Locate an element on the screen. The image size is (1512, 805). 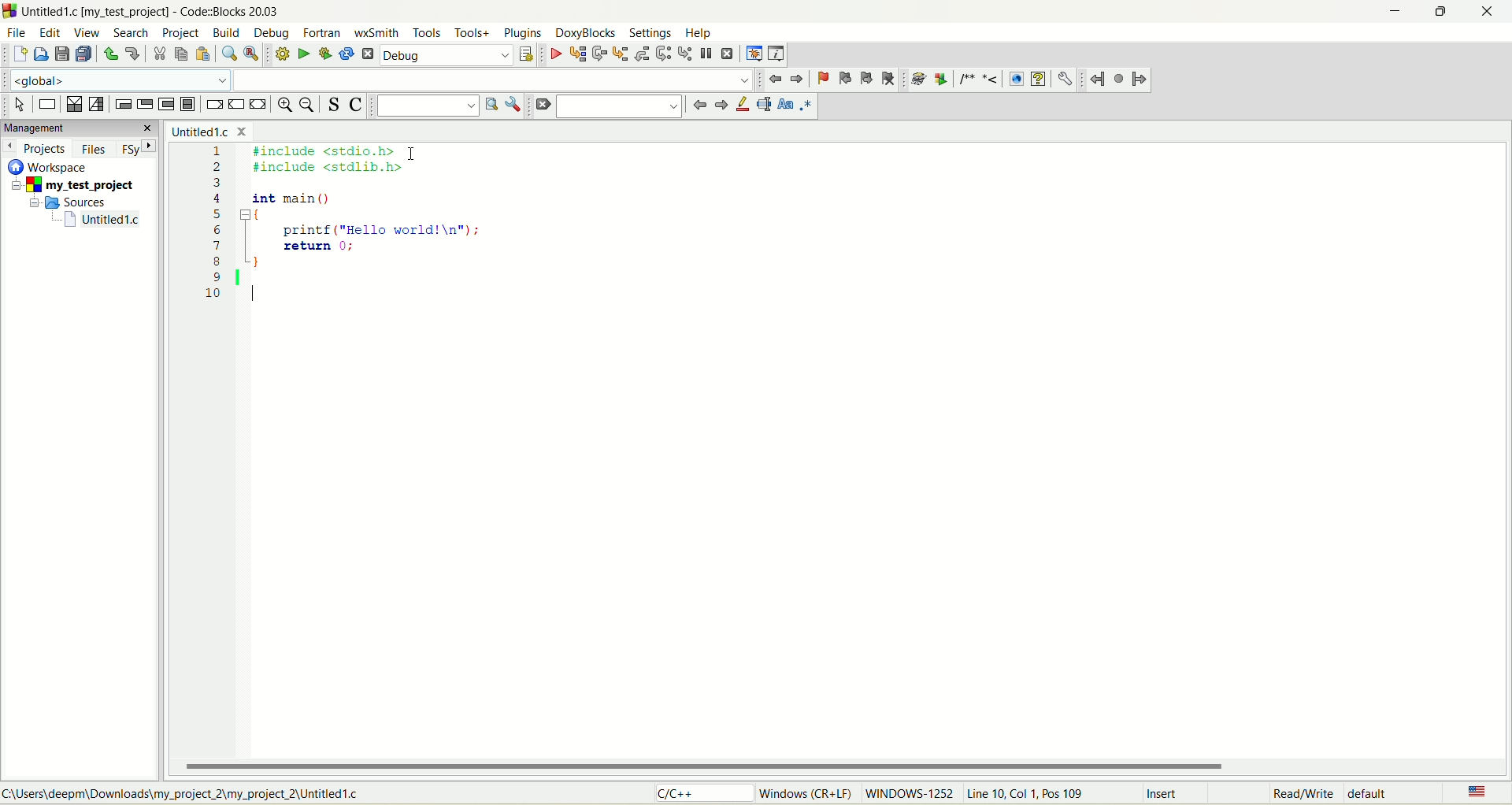
go back is located at coordinates (719, 108).